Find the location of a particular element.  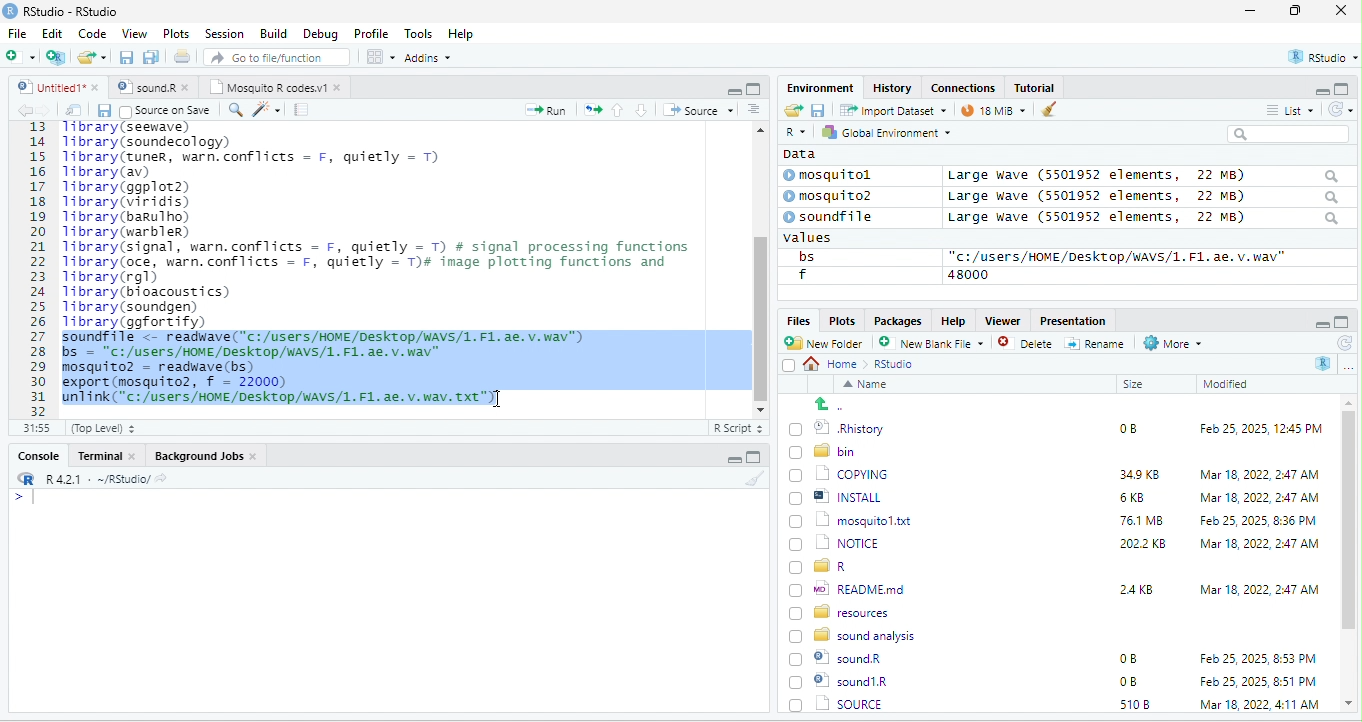

down is located at coordinates (642, 109).